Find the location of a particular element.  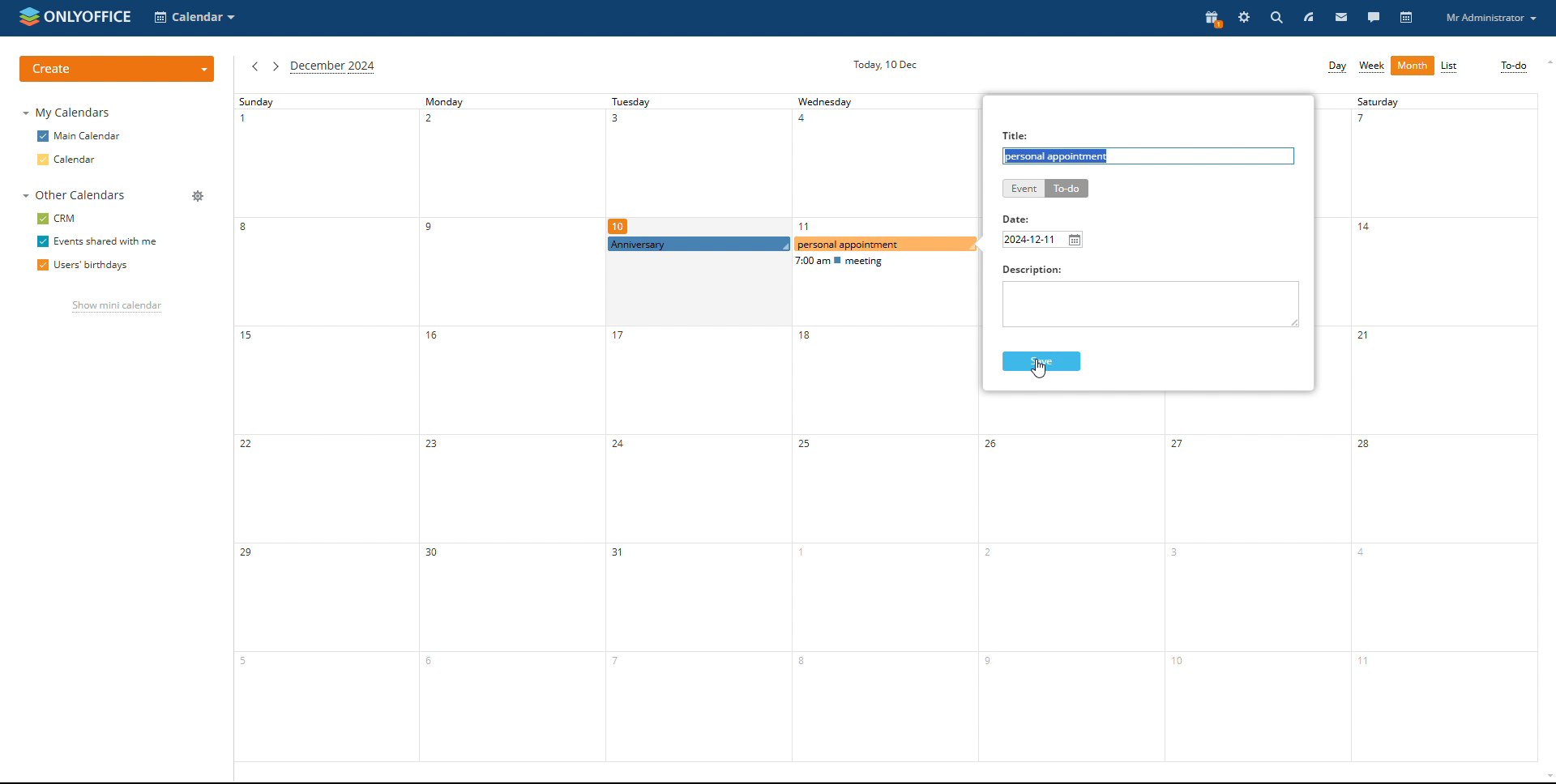

resize is located at coordinates (1293, 322).